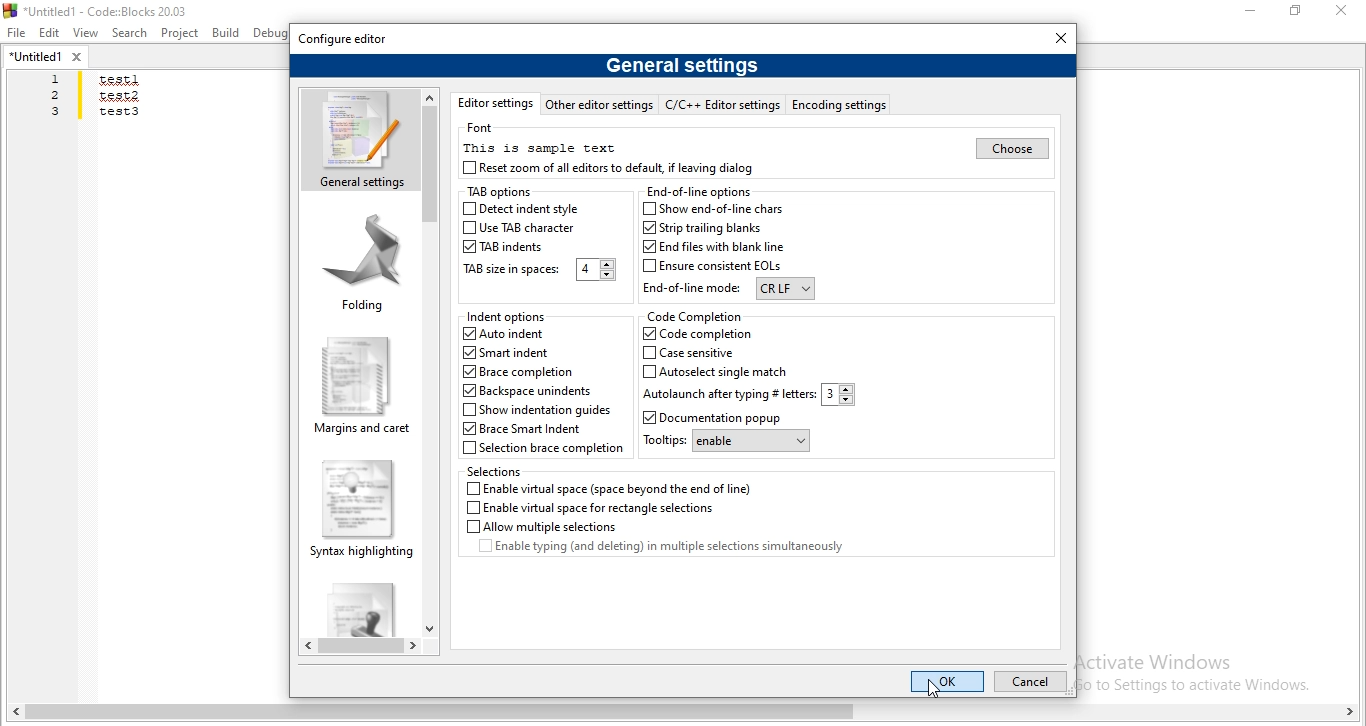 Image resolution: width=1366 pixels, height=726 pixels. What do you see at coordinates (1028, 683) in the screenshot?
I see `cancel` at bounding box center [1028, 683].